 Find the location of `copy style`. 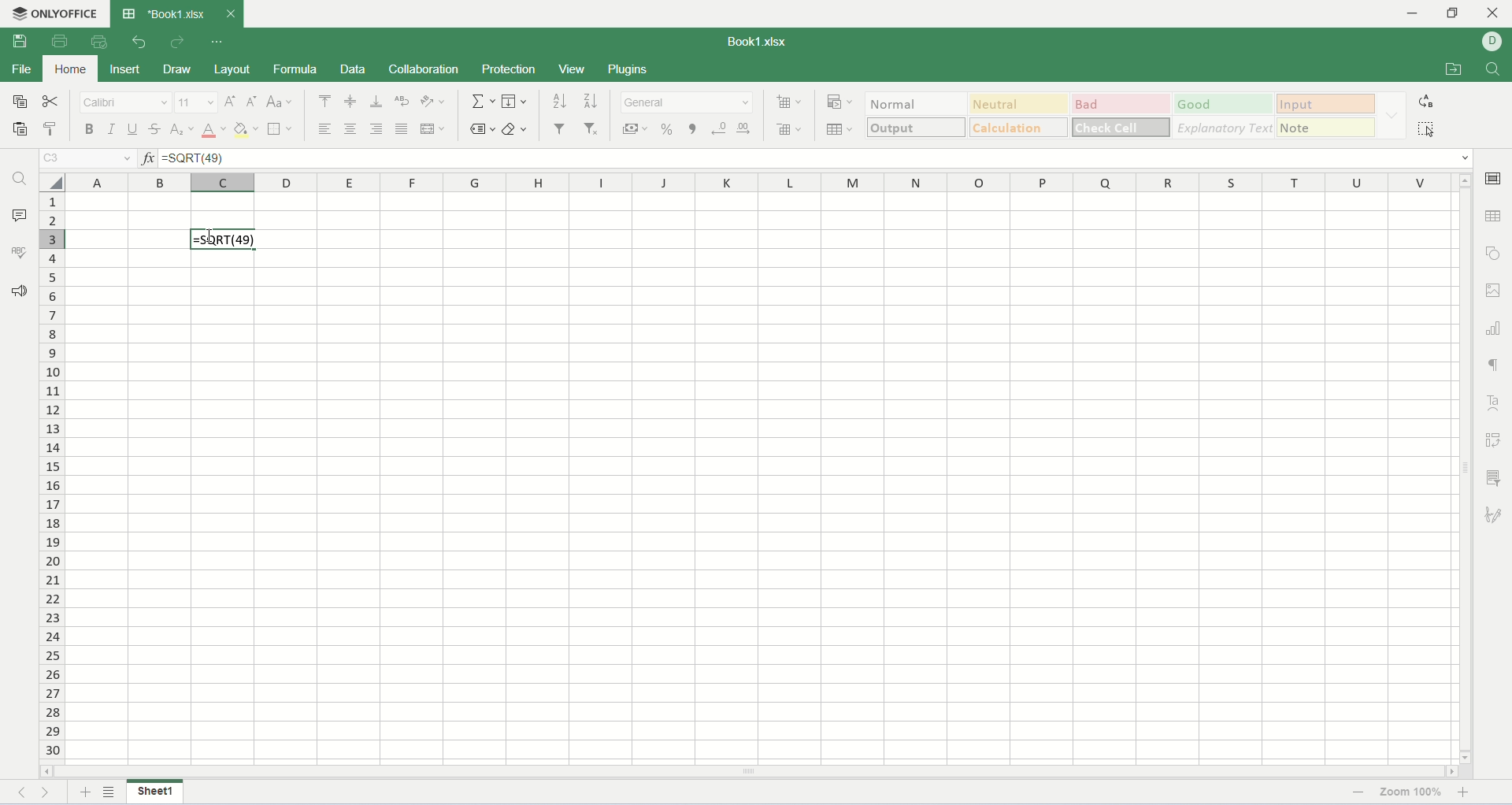

copy style is located at coordinates (51, 129).